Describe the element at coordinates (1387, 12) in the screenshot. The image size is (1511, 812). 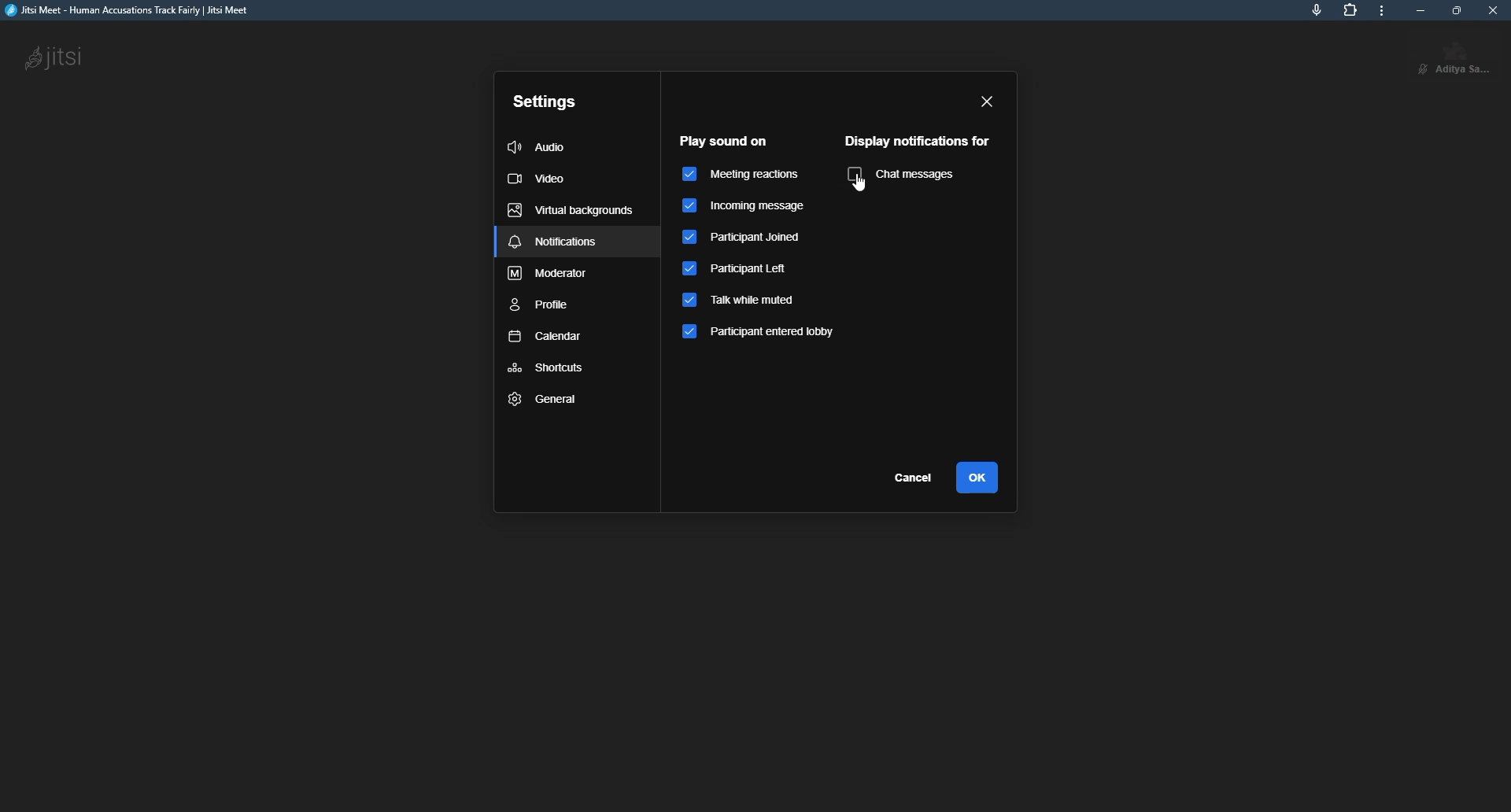
I see `more` at that location.